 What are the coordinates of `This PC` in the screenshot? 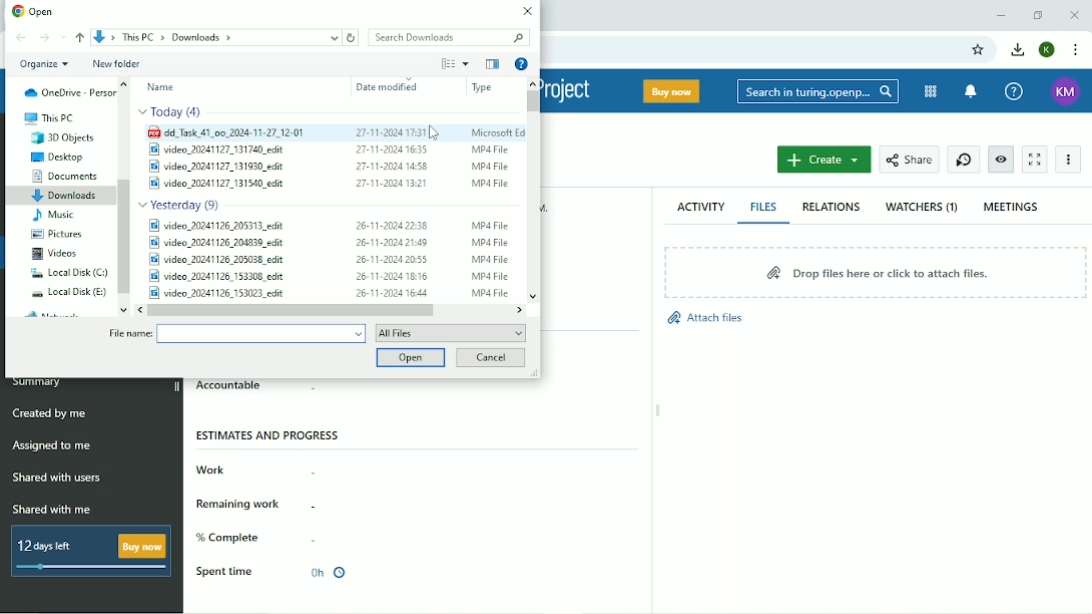 It's located at (48, 118).